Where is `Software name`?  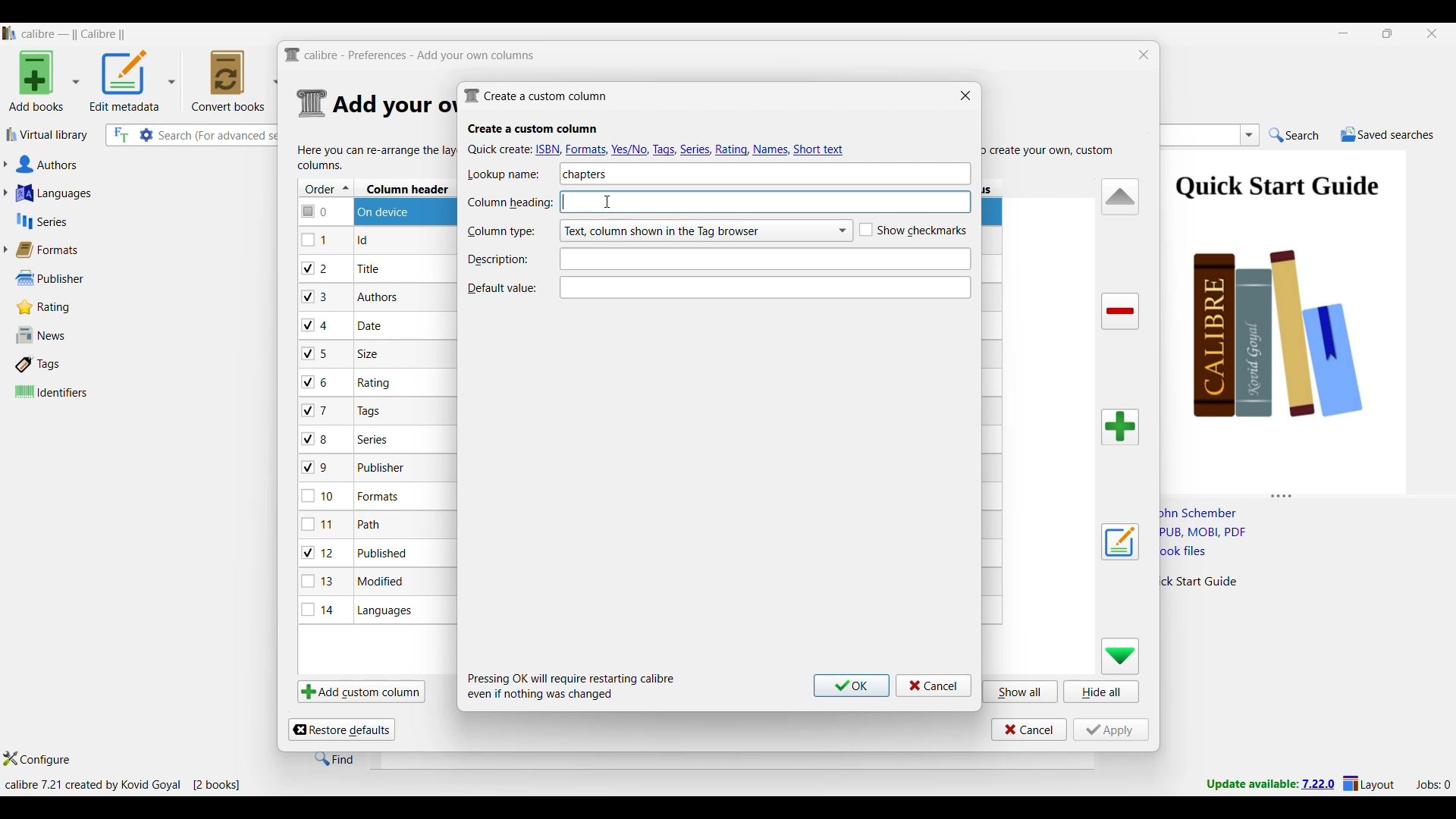
Software name is located at coordinates (74, 34).